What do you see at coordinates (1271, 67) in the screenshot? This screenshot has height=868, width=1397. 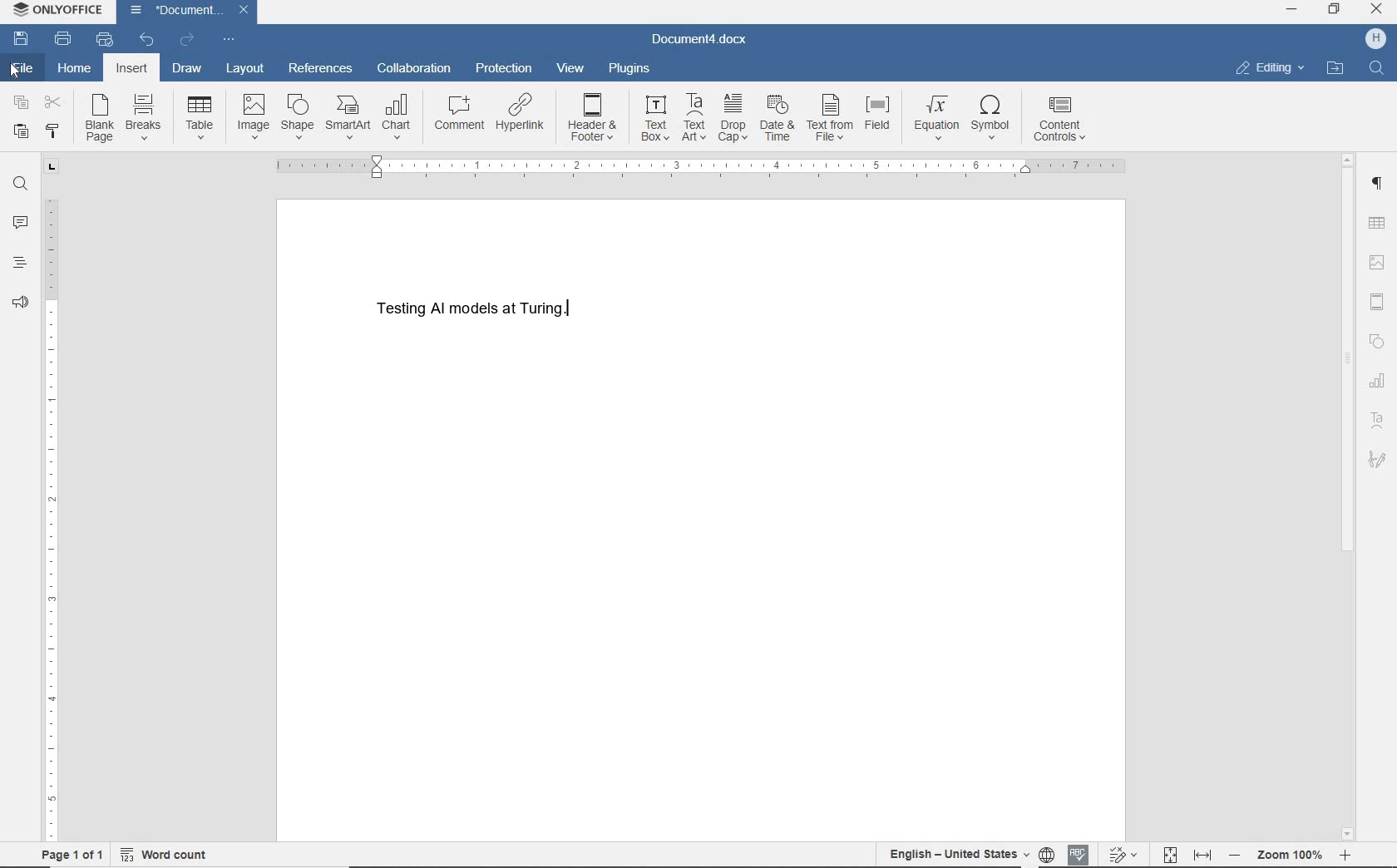 I see `editing` at bounding box center [1271, 67].